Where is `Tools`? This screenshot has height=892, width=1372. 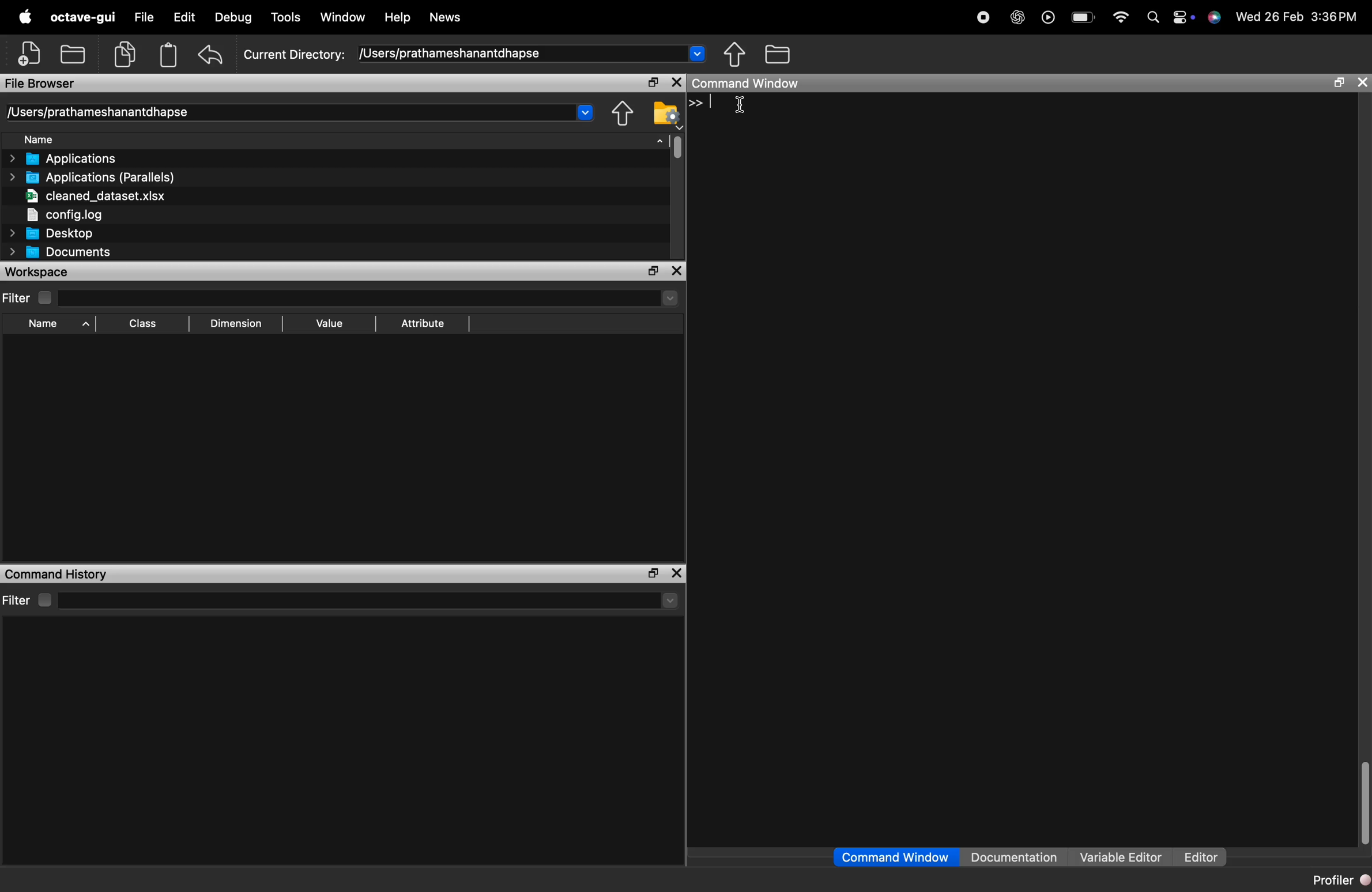
Tools is located at coordinates (285, 18).